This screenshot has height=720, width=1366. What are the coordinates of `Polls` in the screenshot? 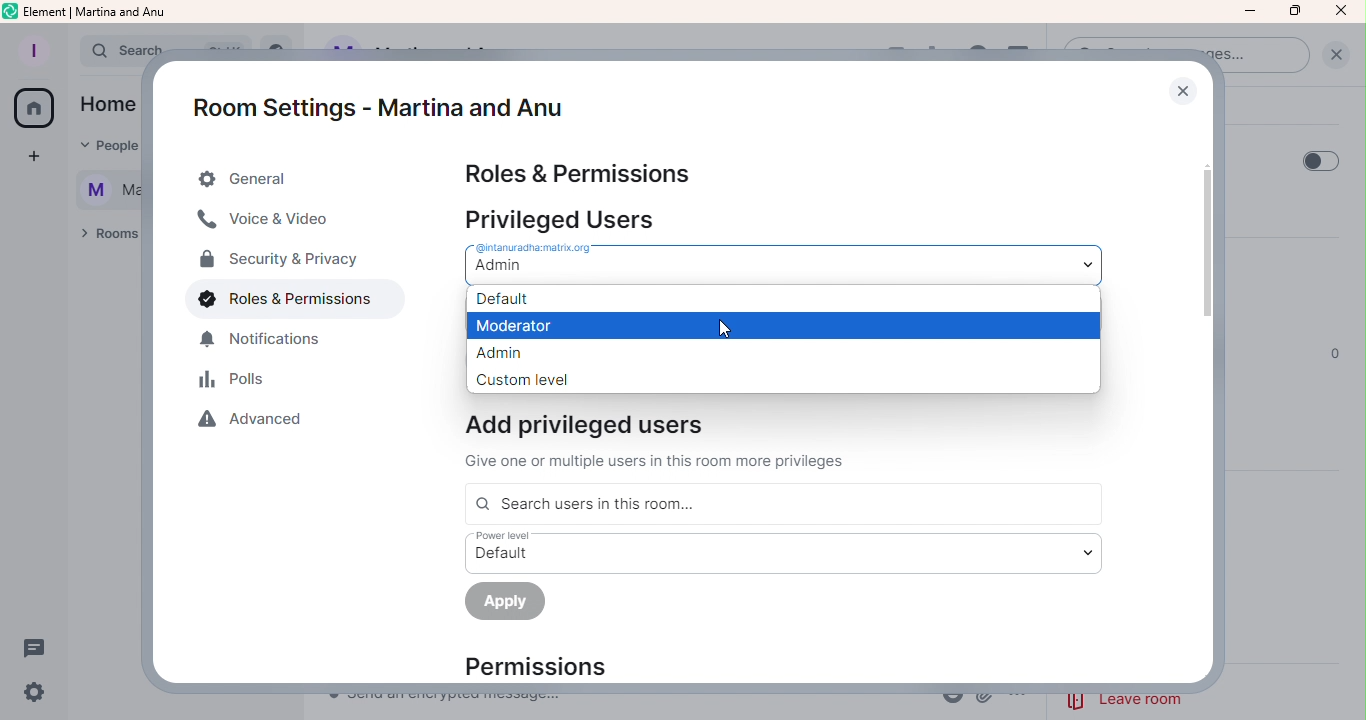 It's located at (237, 382).